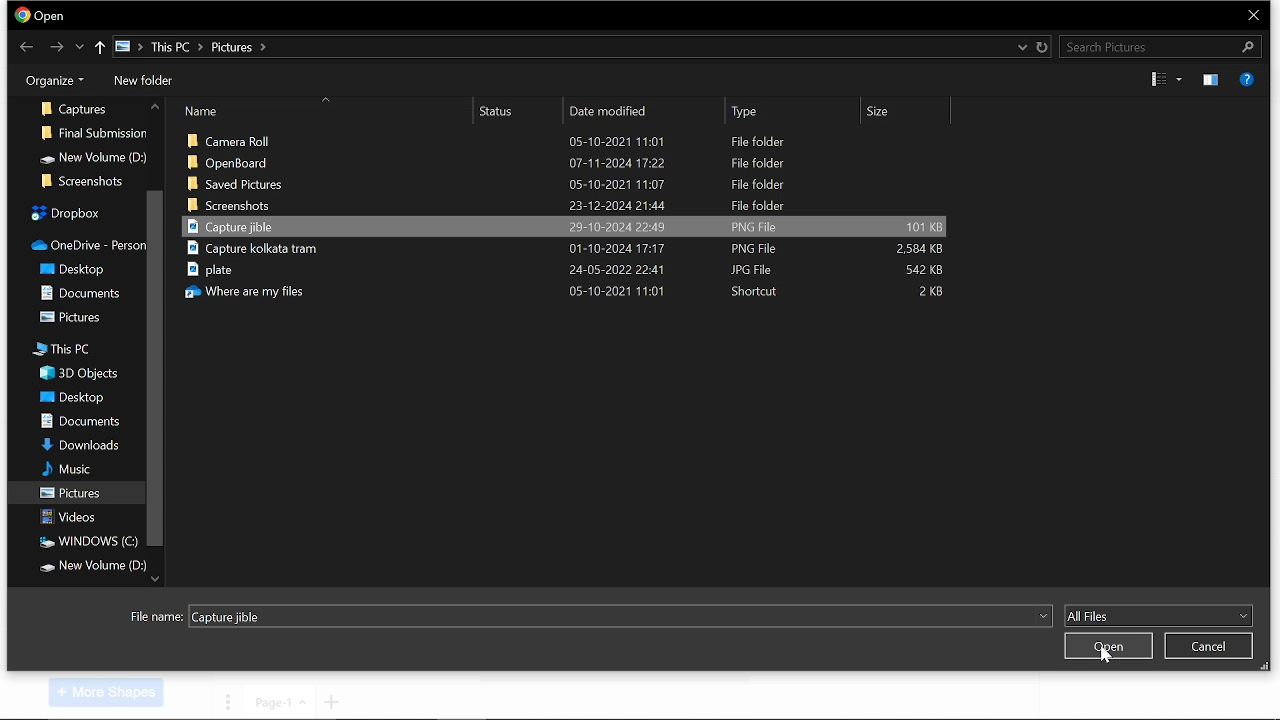 The image size is (1280, 720). I want to click on current window, so click(42, 16).